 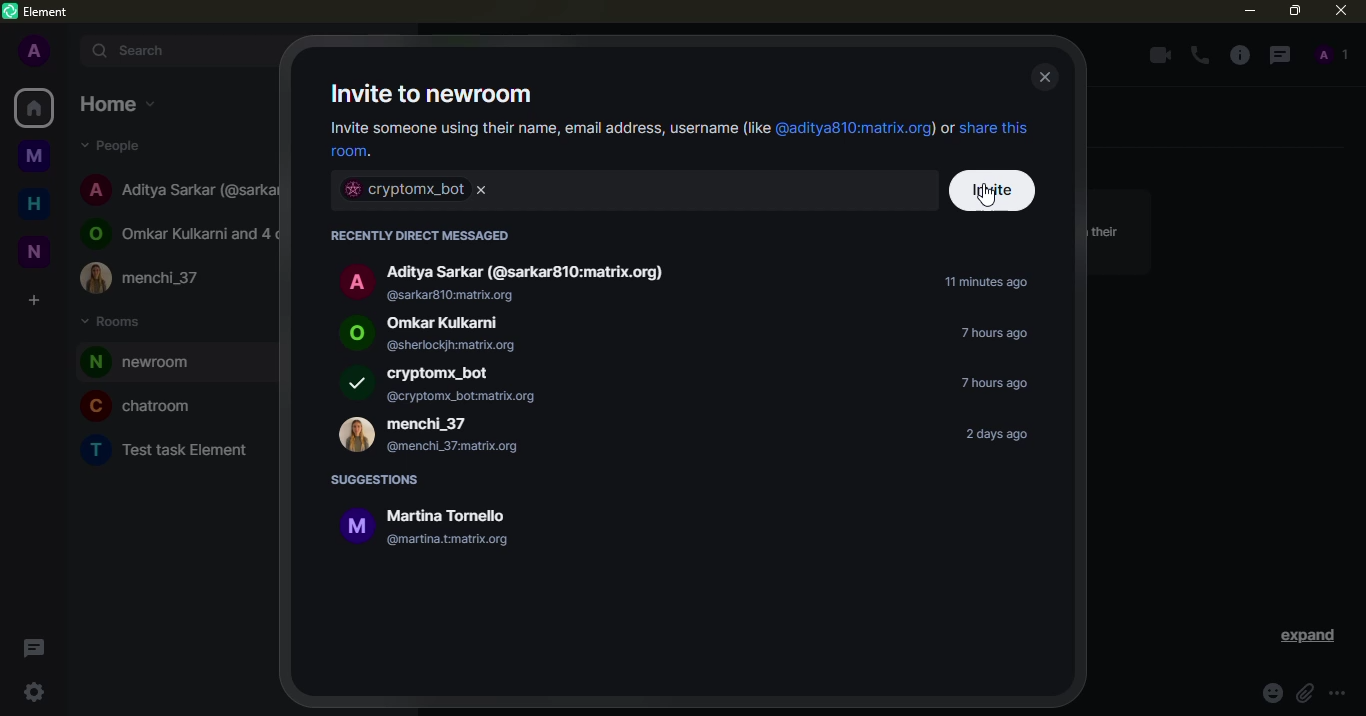 I want to click on chatroom, so click(x=135, y=409).